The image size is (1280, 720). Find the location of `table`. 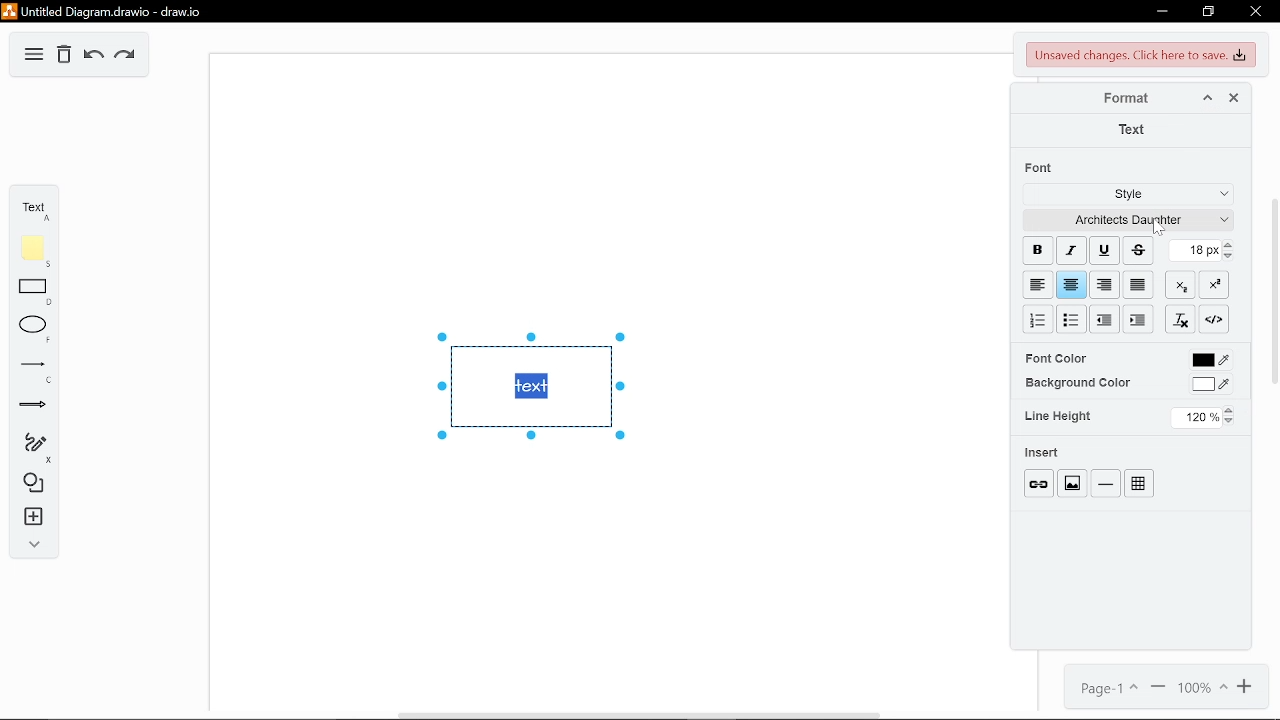

table is located at coordinates (1139, 483).